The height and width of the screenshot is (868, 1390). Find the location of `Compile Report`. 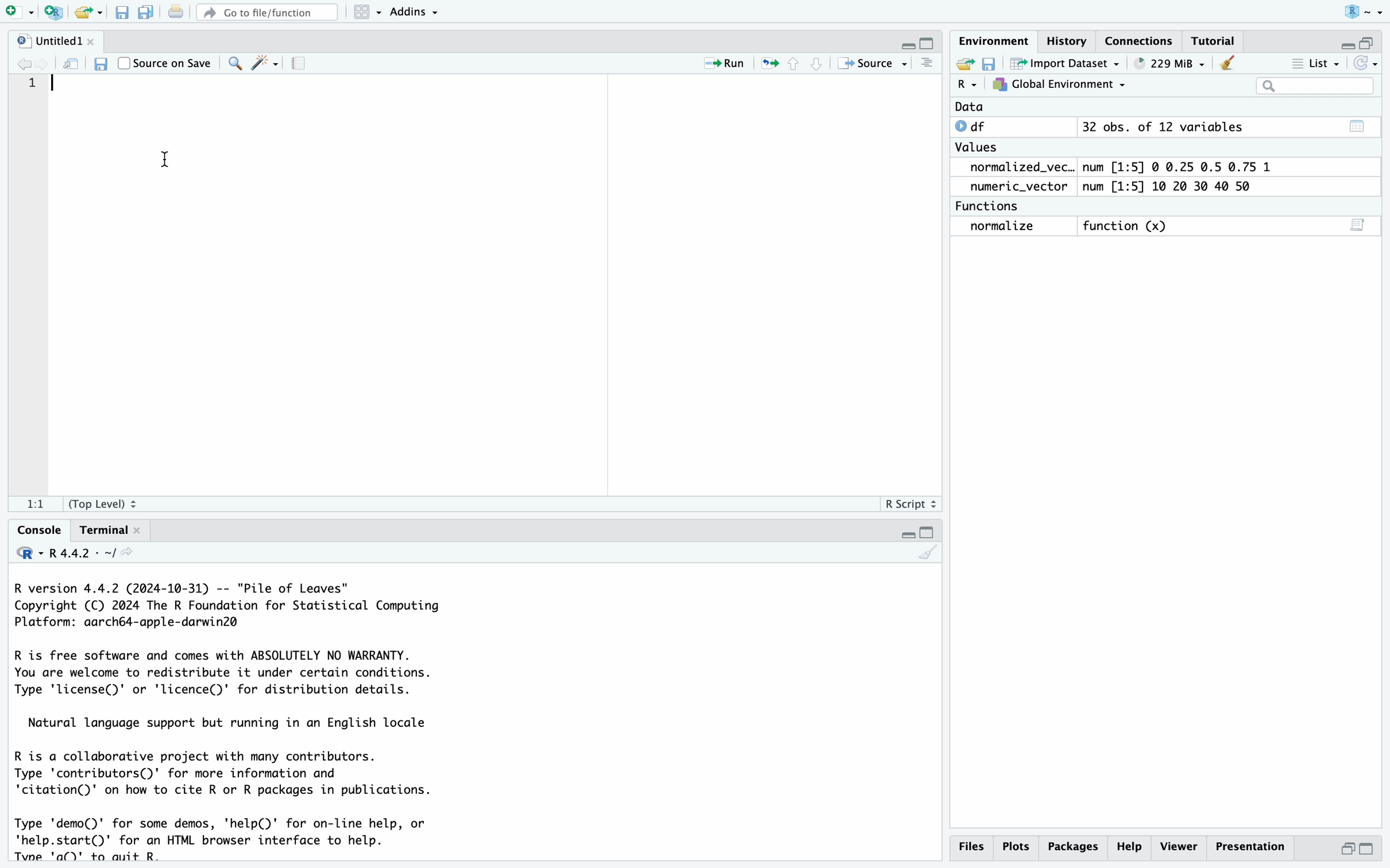

Compile Report is located at coordinates (303, 64).